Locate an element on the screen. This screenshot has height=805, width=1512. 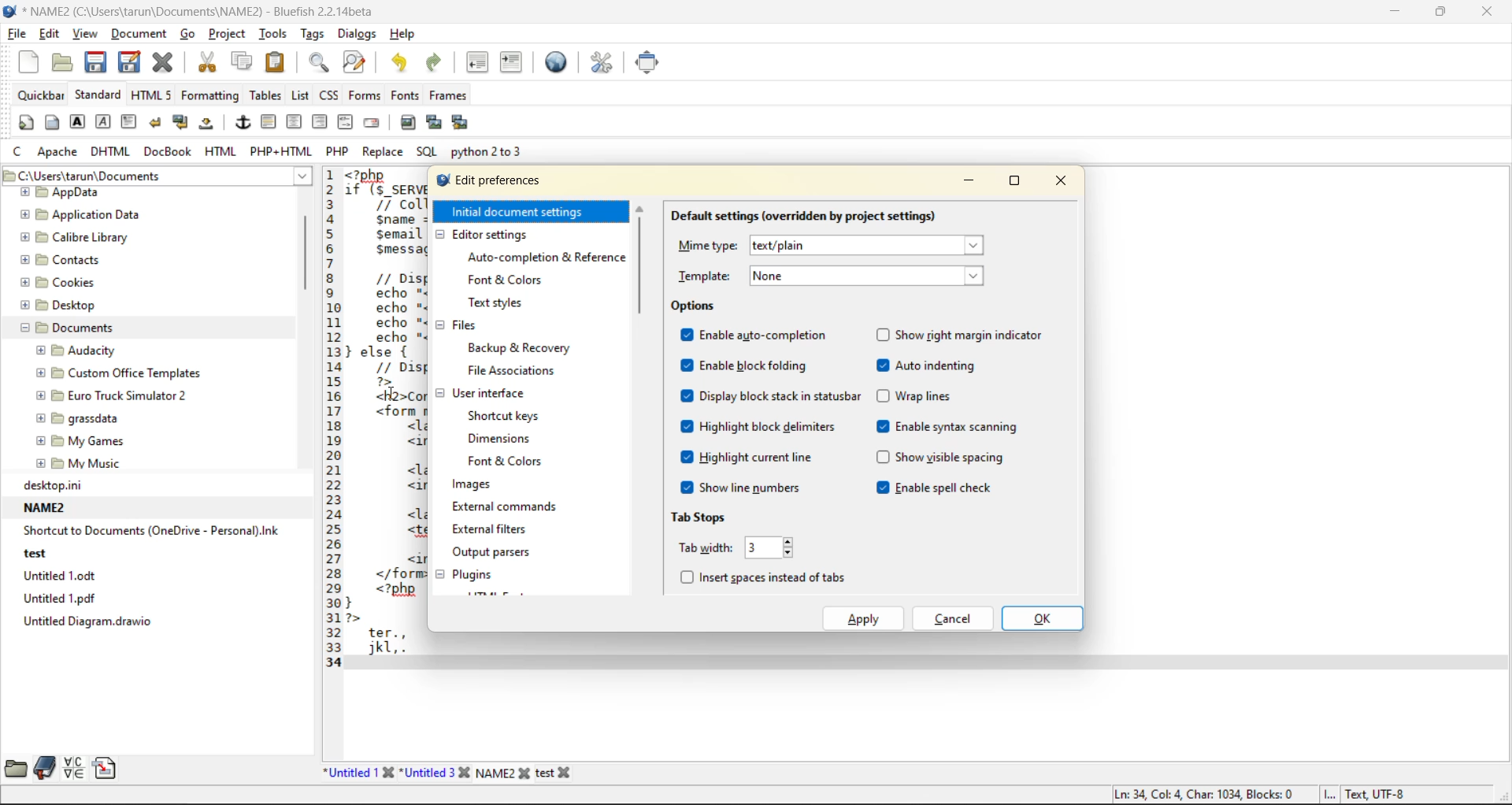
tables is located at coordinates (265, 96).